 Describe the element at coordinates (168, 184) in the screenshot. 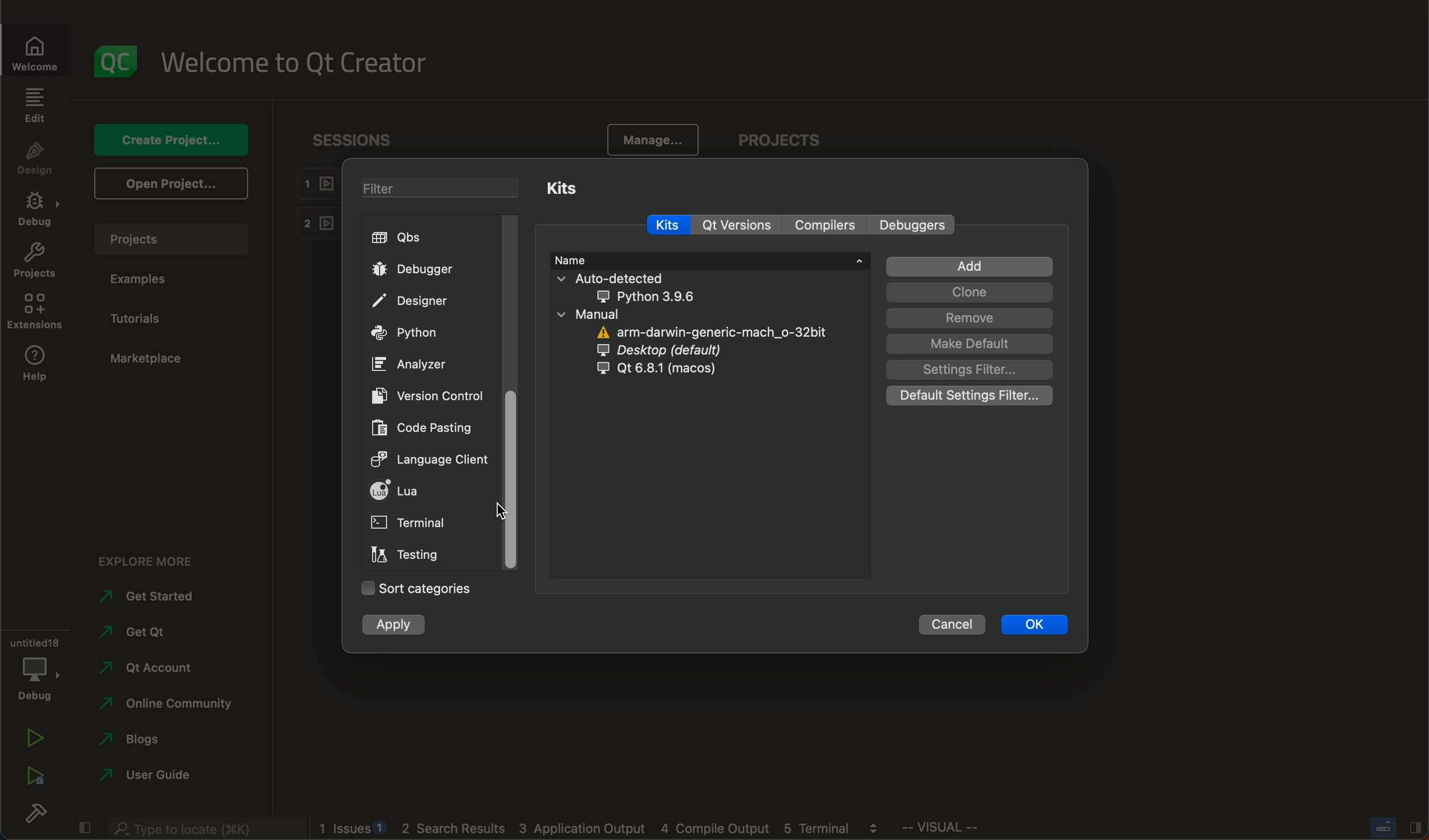

I see `open ` at that location.